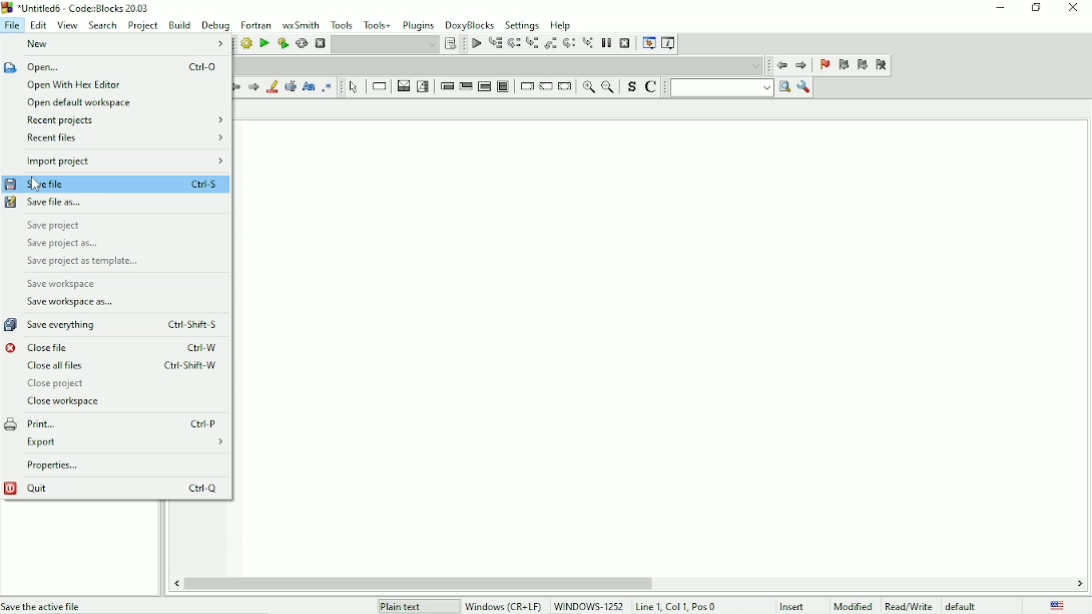 This screenshot has width=1092, height=614. What do you see at coordinates (552, 45) in the screenshot?
I see `Step out` at bounding box center [552, 45].